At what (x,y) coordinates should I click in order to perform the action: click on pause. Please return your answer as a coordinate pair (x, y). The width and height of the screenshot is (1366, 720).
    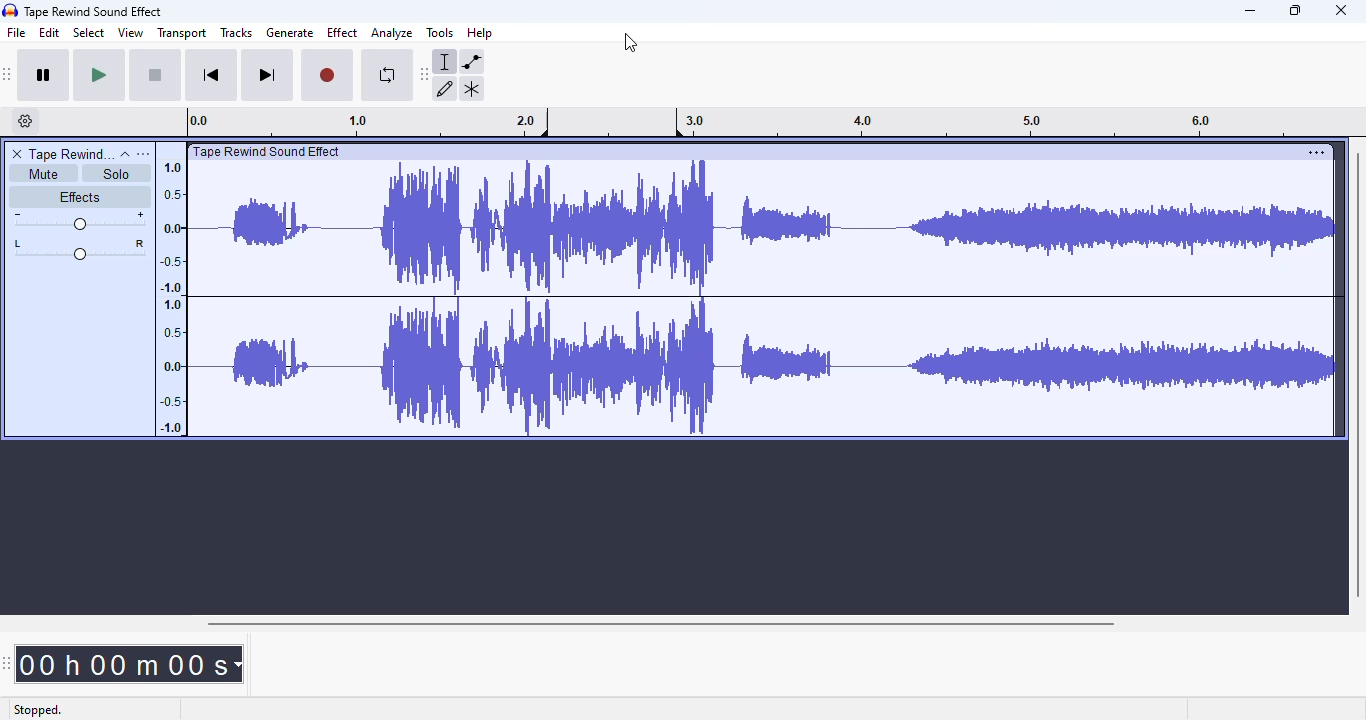
    Looking at the image, I should click on (46, 75).